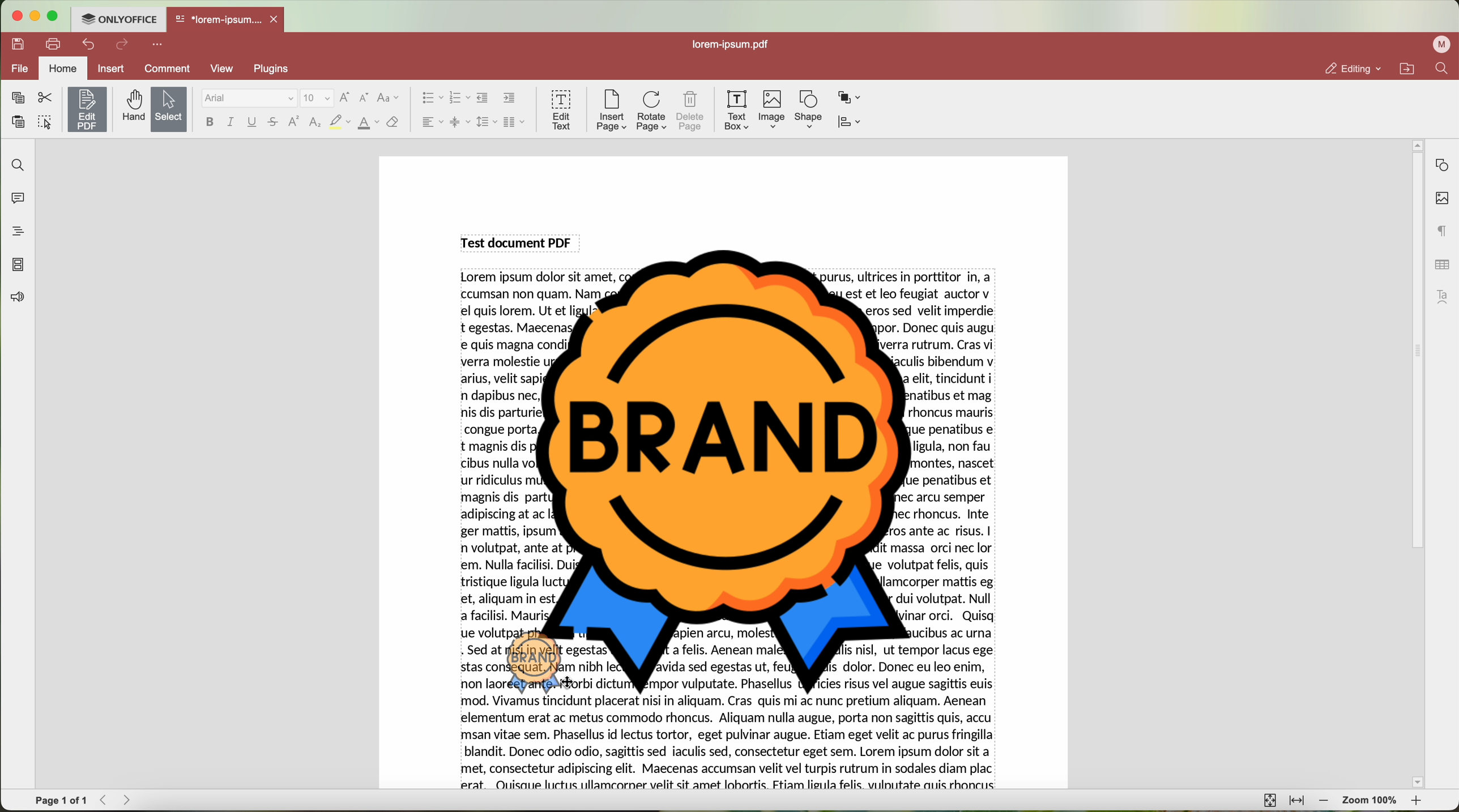 The height and width of the screenshot is (812, 1459). What do you see at coordinates (169, 110) in the screenshot?
I see `select` at bounding box center [169, 110].